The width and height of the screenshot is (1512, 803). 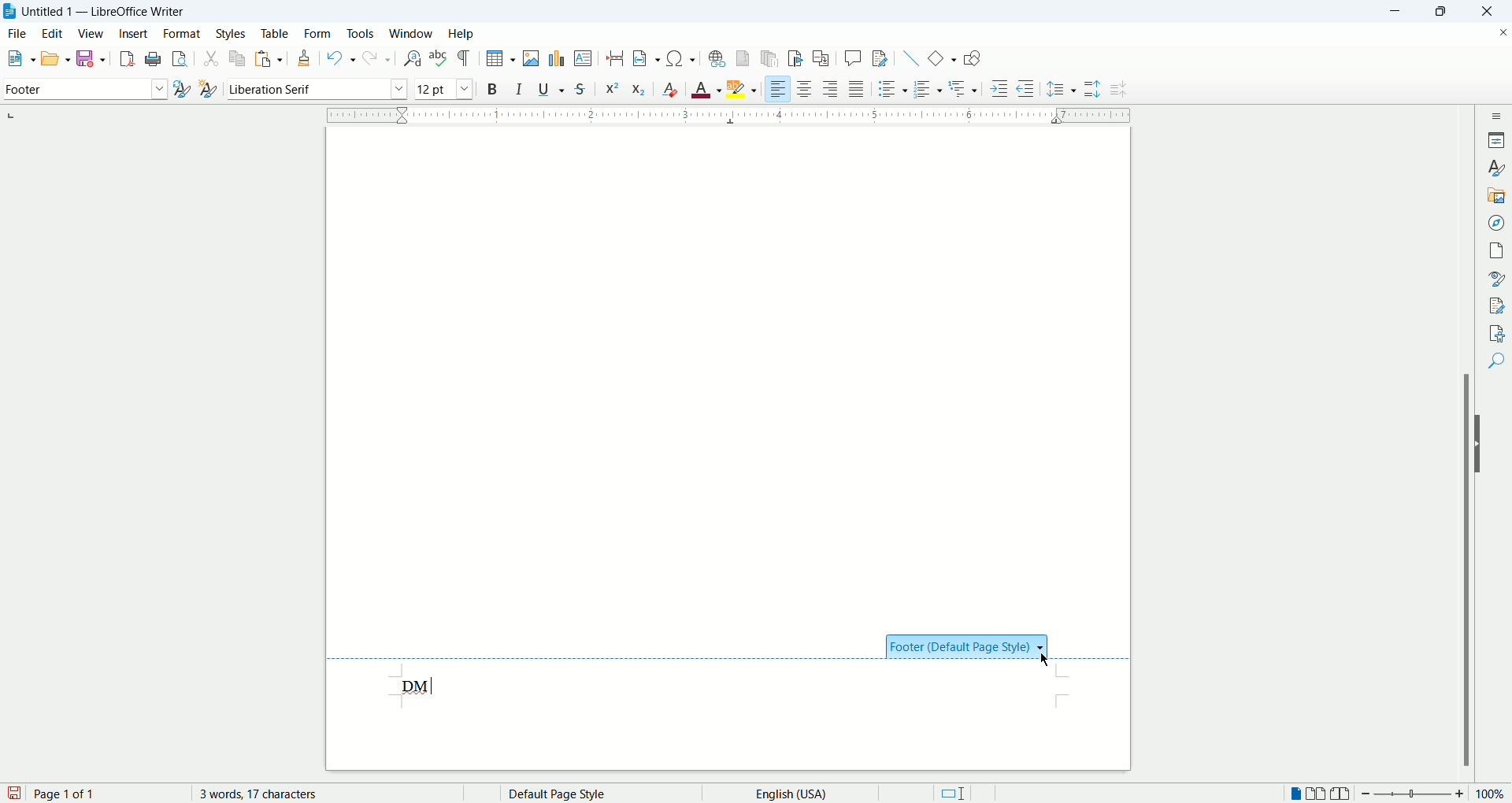 What do you see at coordinates (133, 33) in the screenshot?
I see `insert` at bounding box center [133, 33].